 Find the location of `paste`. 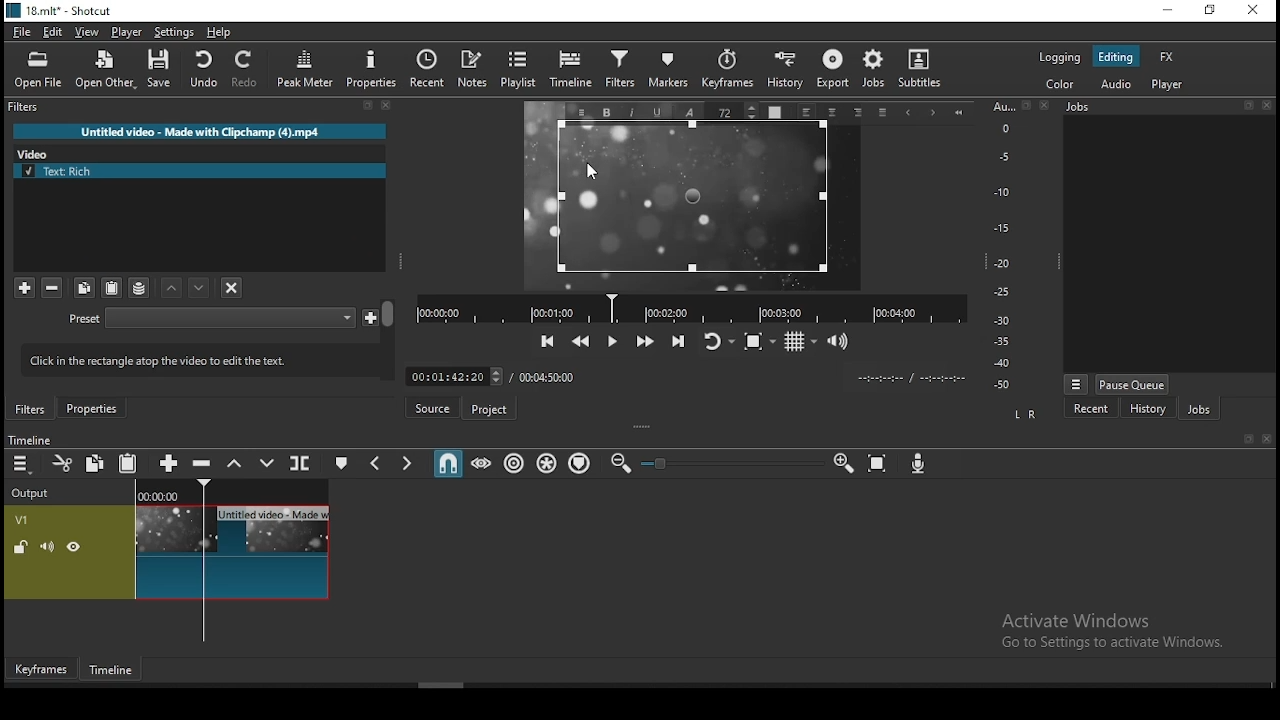

paste is located at coordinates (128, 462).